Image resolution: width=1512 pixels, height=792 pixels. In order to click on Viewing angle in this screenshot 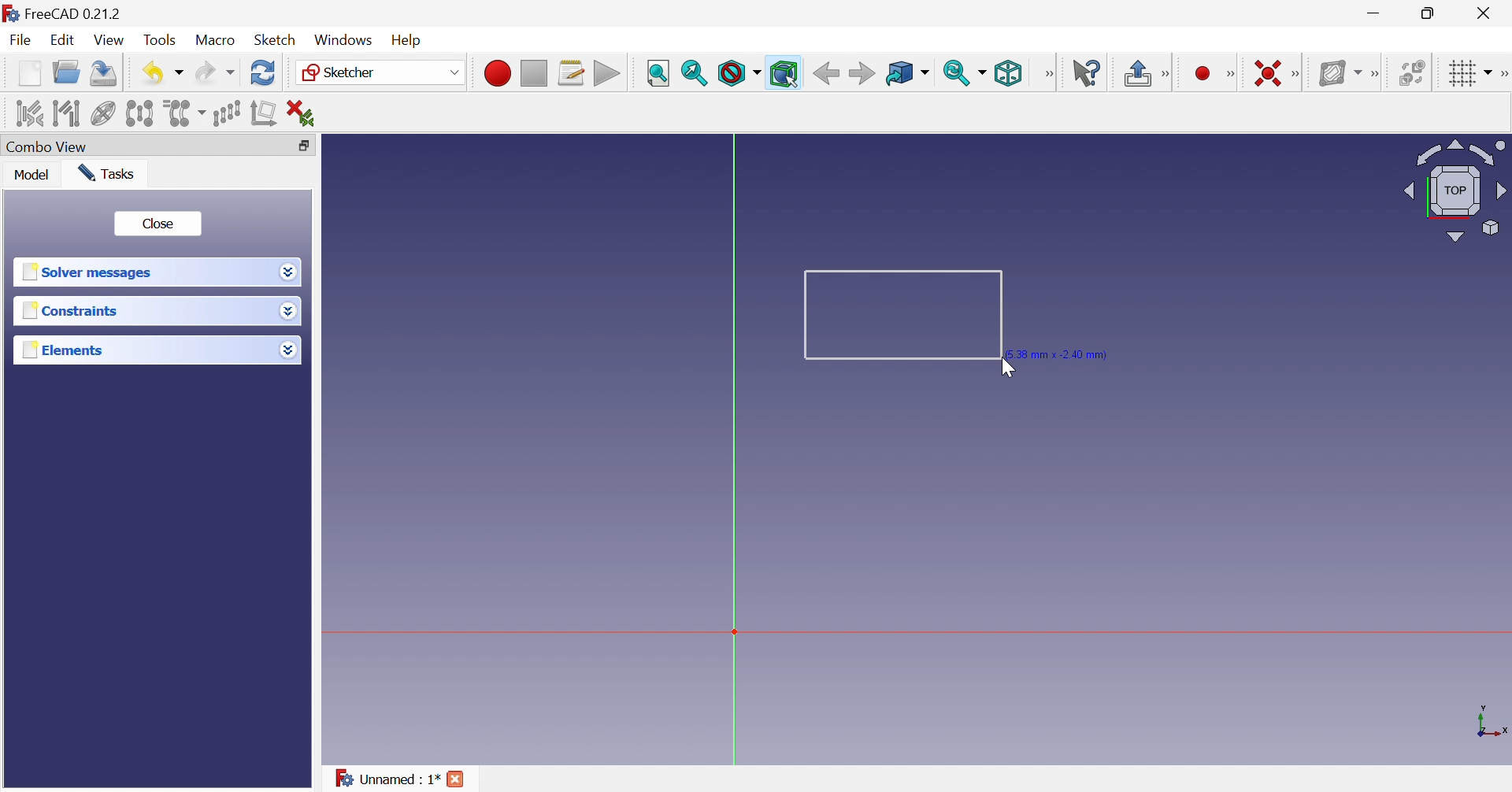, I will do `click(1455, 192)`.